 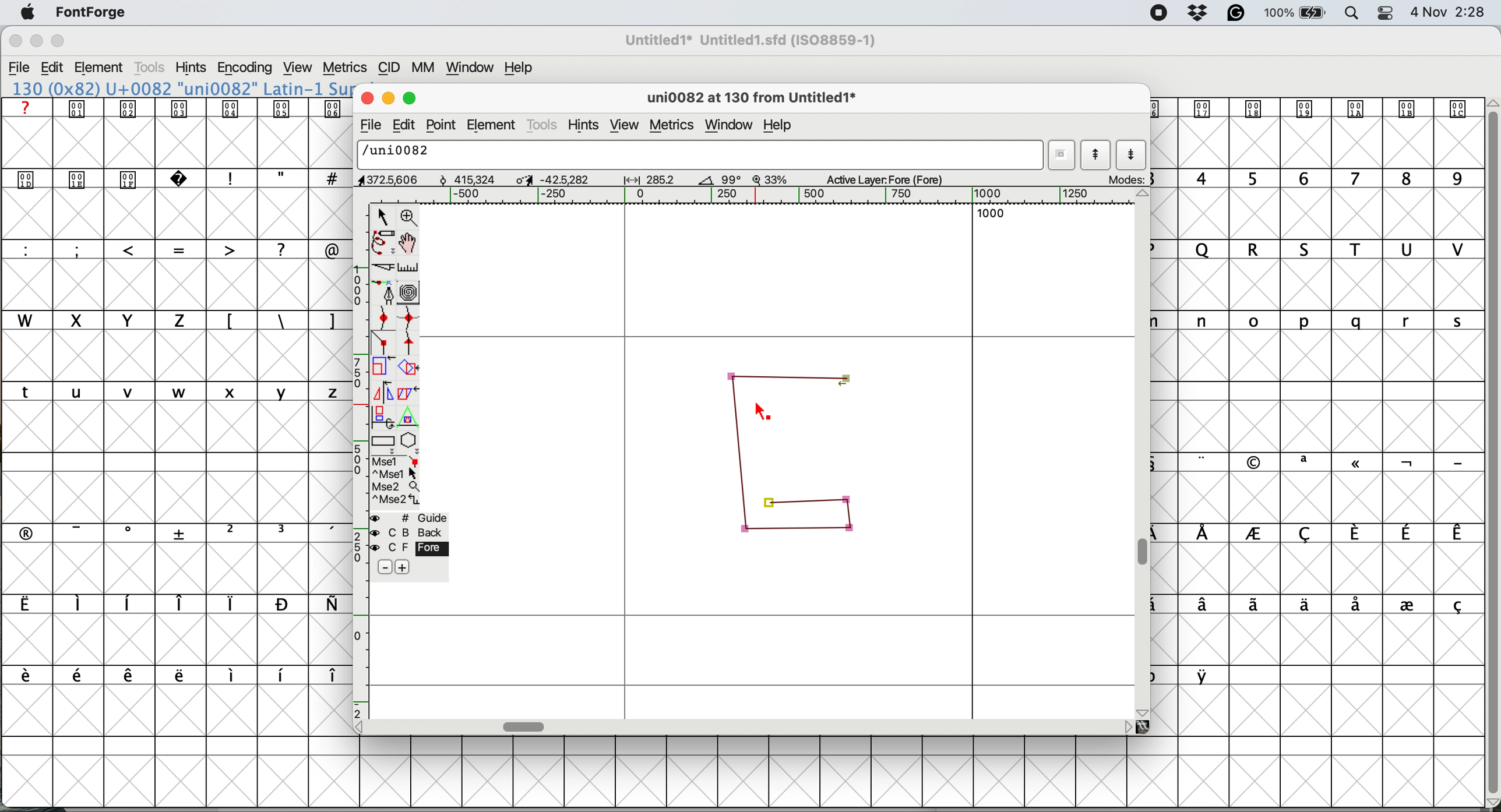 I want to click on scale the selection, so click(x=383, y=369).